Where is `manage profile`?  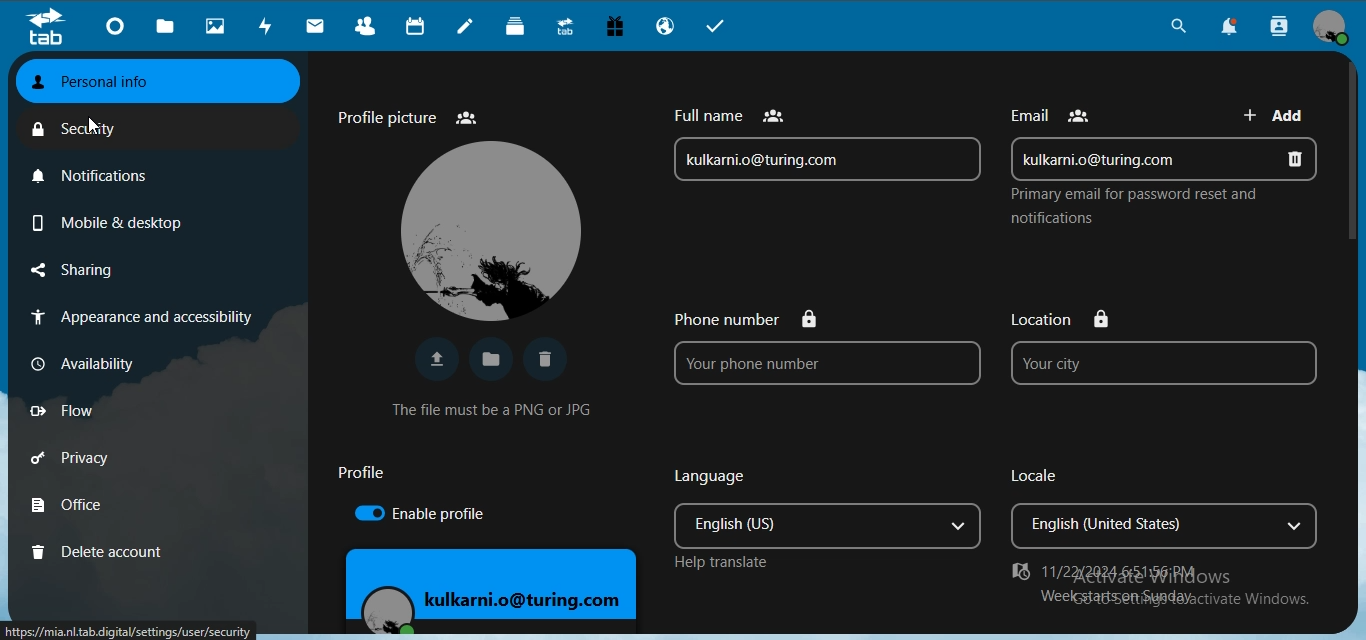 manage profile is located at coordinates (1332, 28).